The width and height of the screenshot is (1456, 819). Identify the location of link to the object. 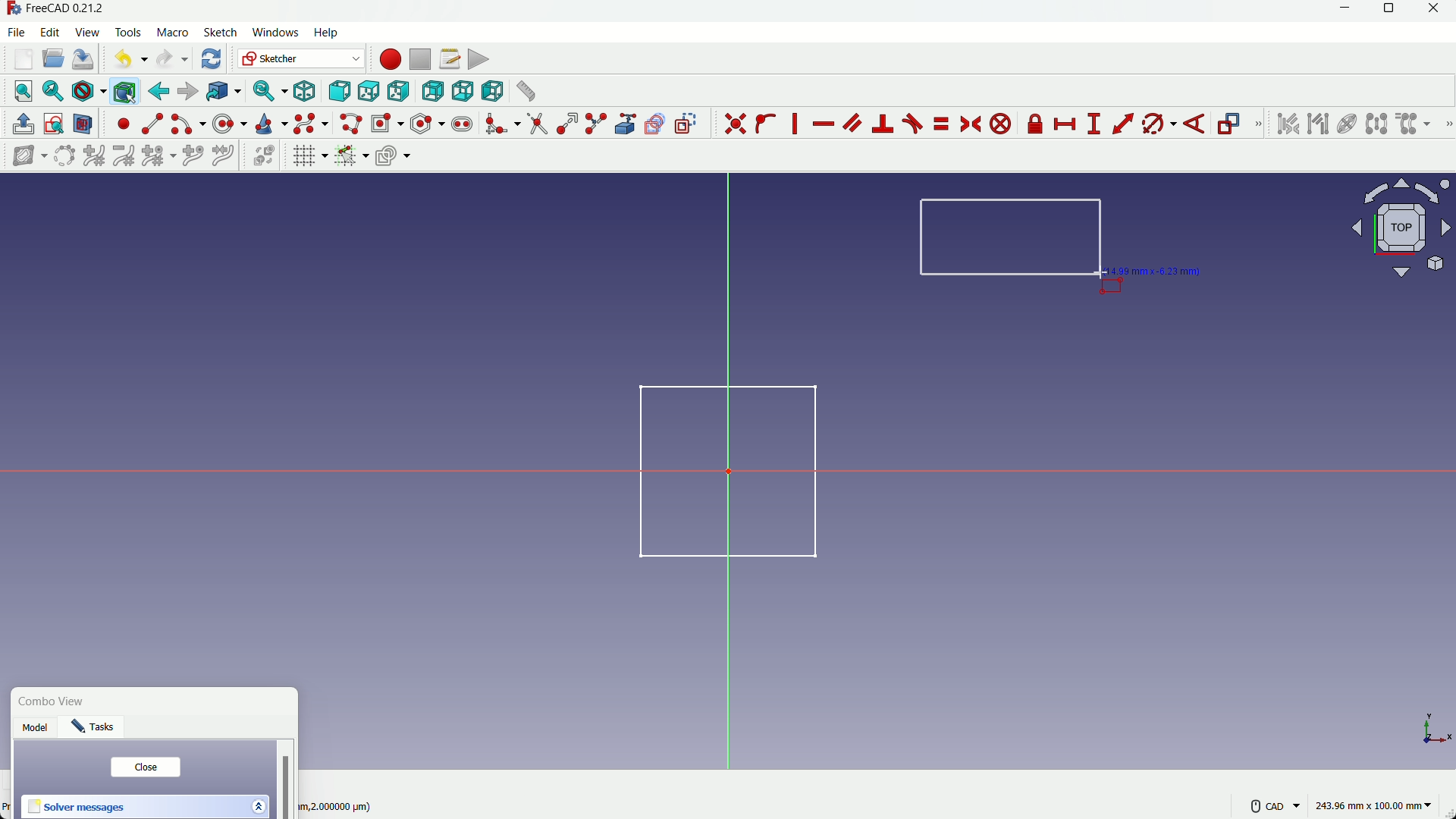
(221, 93).